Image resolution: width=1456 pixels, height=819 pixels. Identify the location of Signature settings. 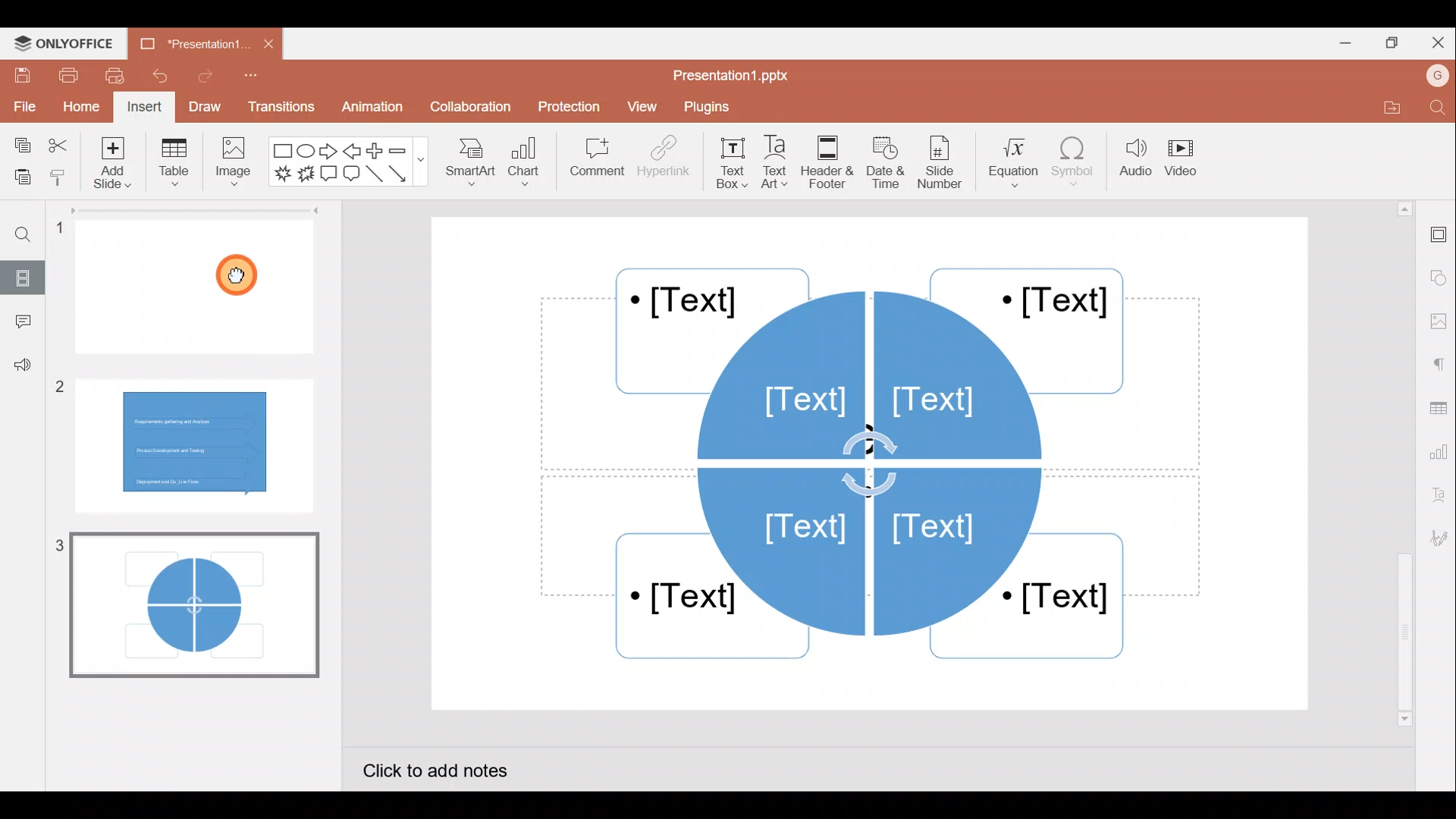
(1436, 538).